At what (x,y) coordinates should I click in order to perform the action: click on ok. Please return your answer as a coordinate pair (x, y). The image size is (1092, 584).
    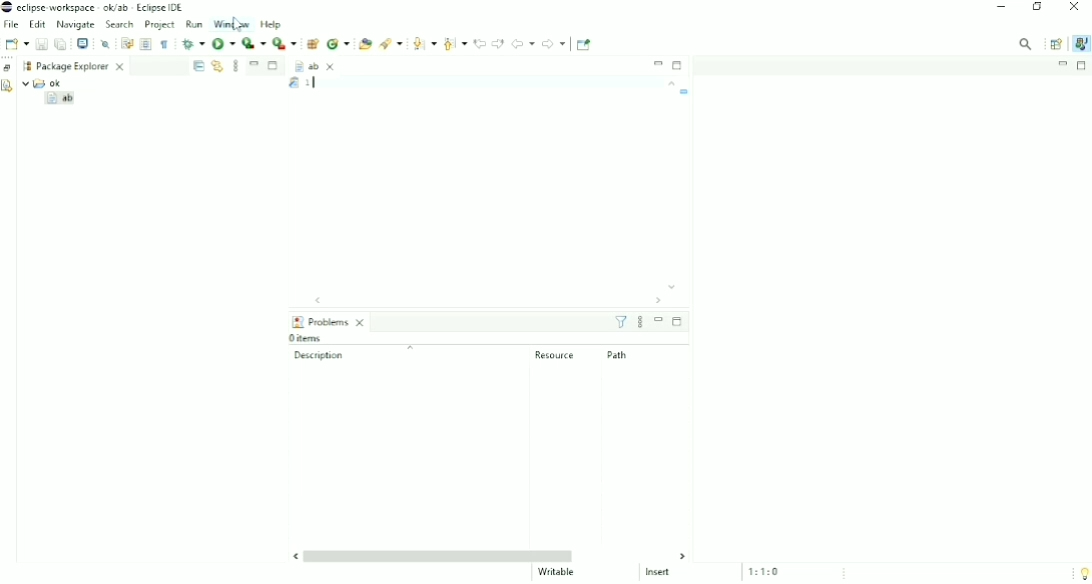
    Looking at the image, I should click on (47, 82).